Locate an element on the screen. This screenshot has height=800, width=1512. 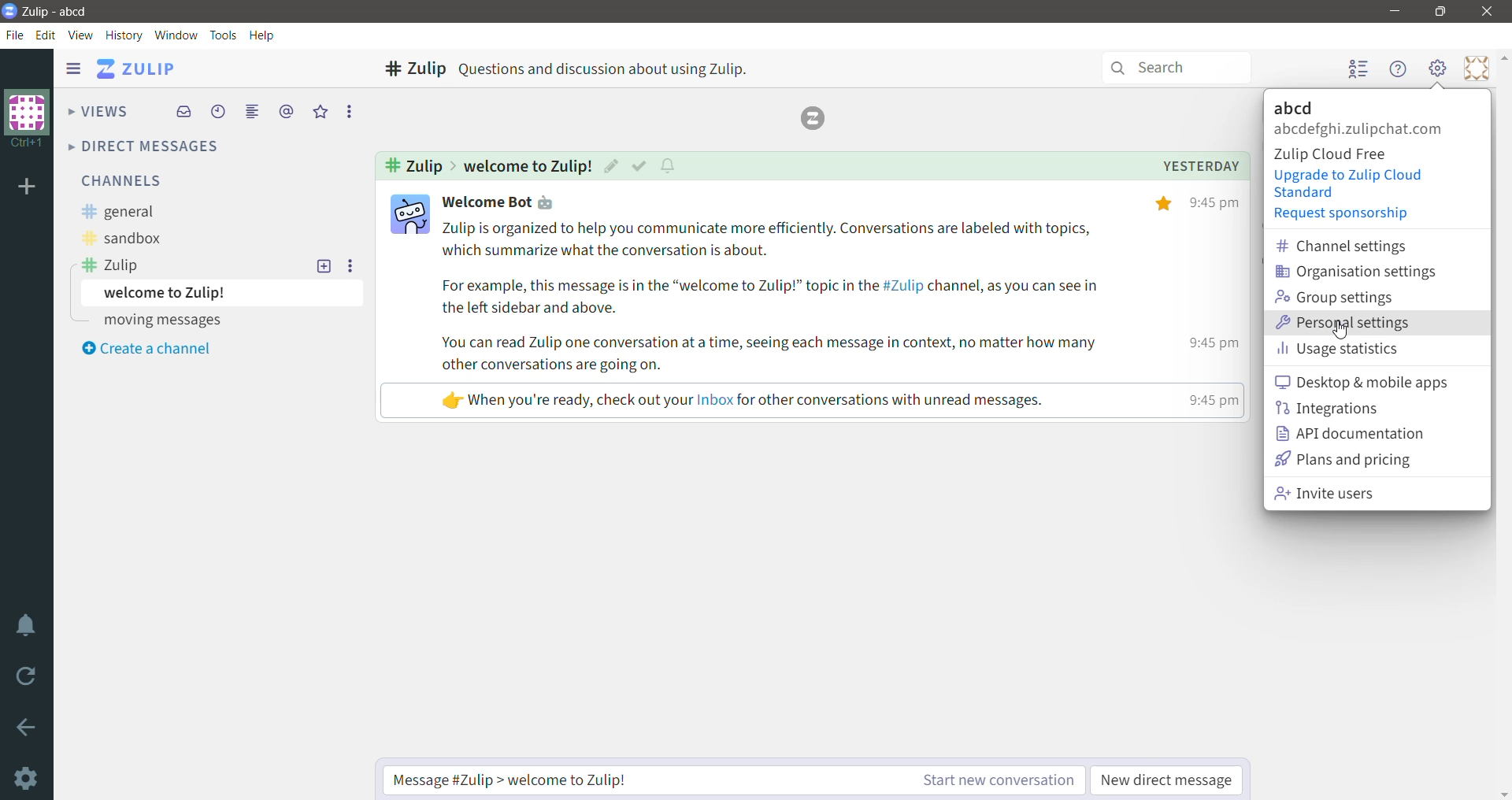
Zulip is located at coordinates (110, 265).